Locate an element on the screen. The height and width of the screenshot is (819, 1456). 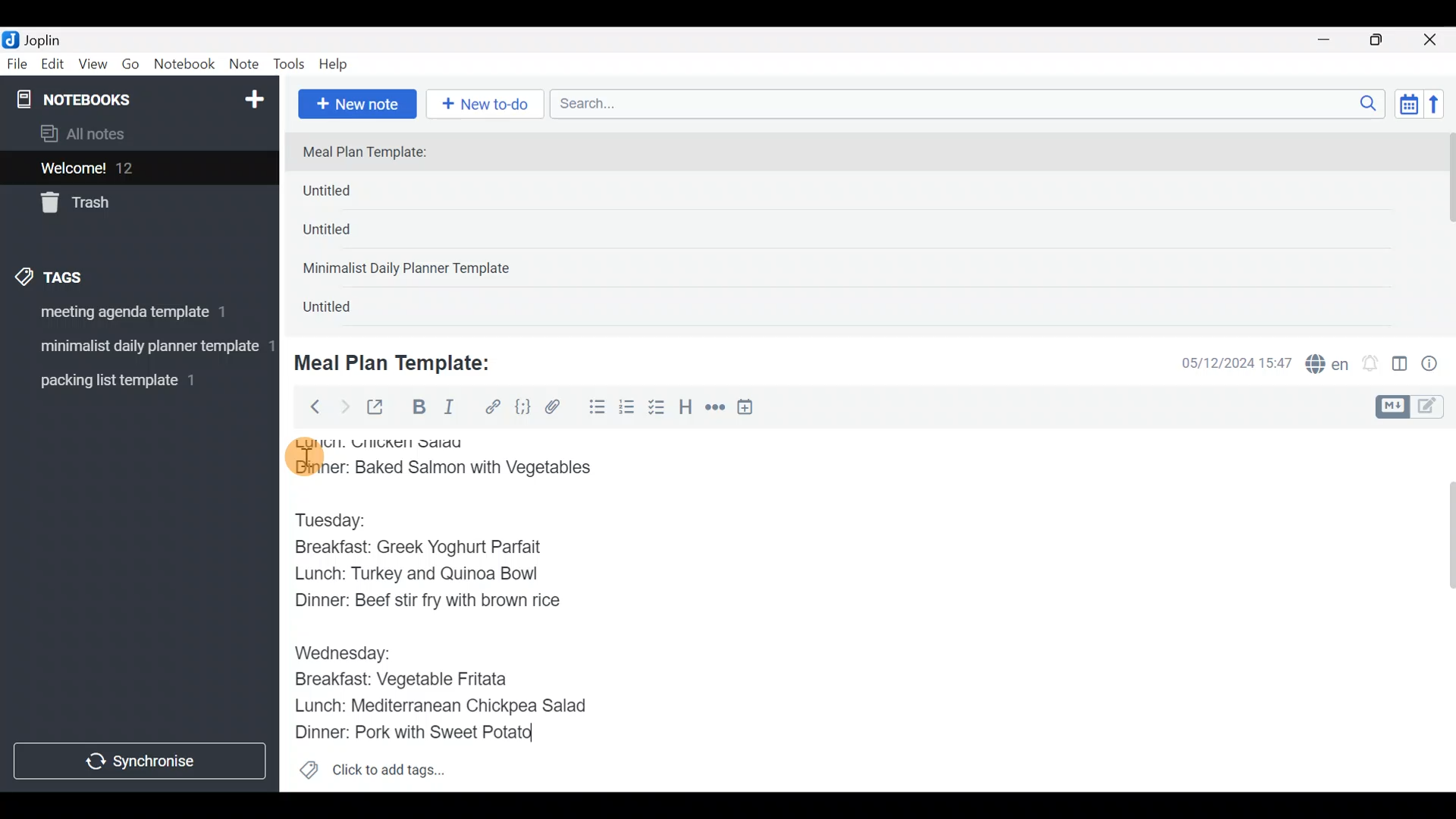
Meal Plan Template: is located at coordinates (402, 361).